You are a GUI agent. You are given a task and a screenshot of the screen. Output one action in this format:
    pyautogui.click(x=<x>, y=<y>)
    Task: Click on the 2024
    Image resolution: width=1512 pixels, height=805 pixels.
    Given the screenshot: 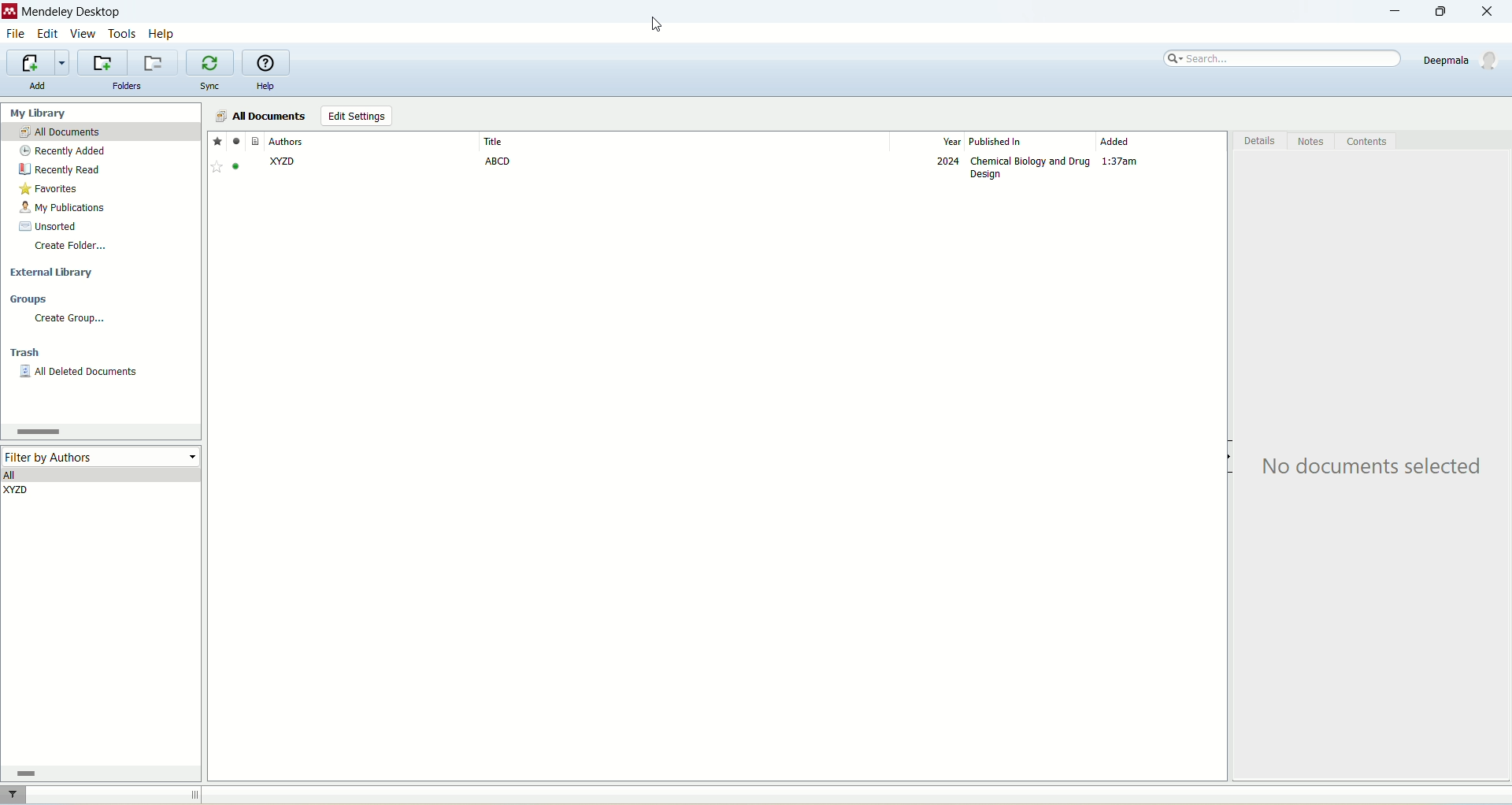 What is the action you would take?
    pyautogui.click(x=944, y=162)
    